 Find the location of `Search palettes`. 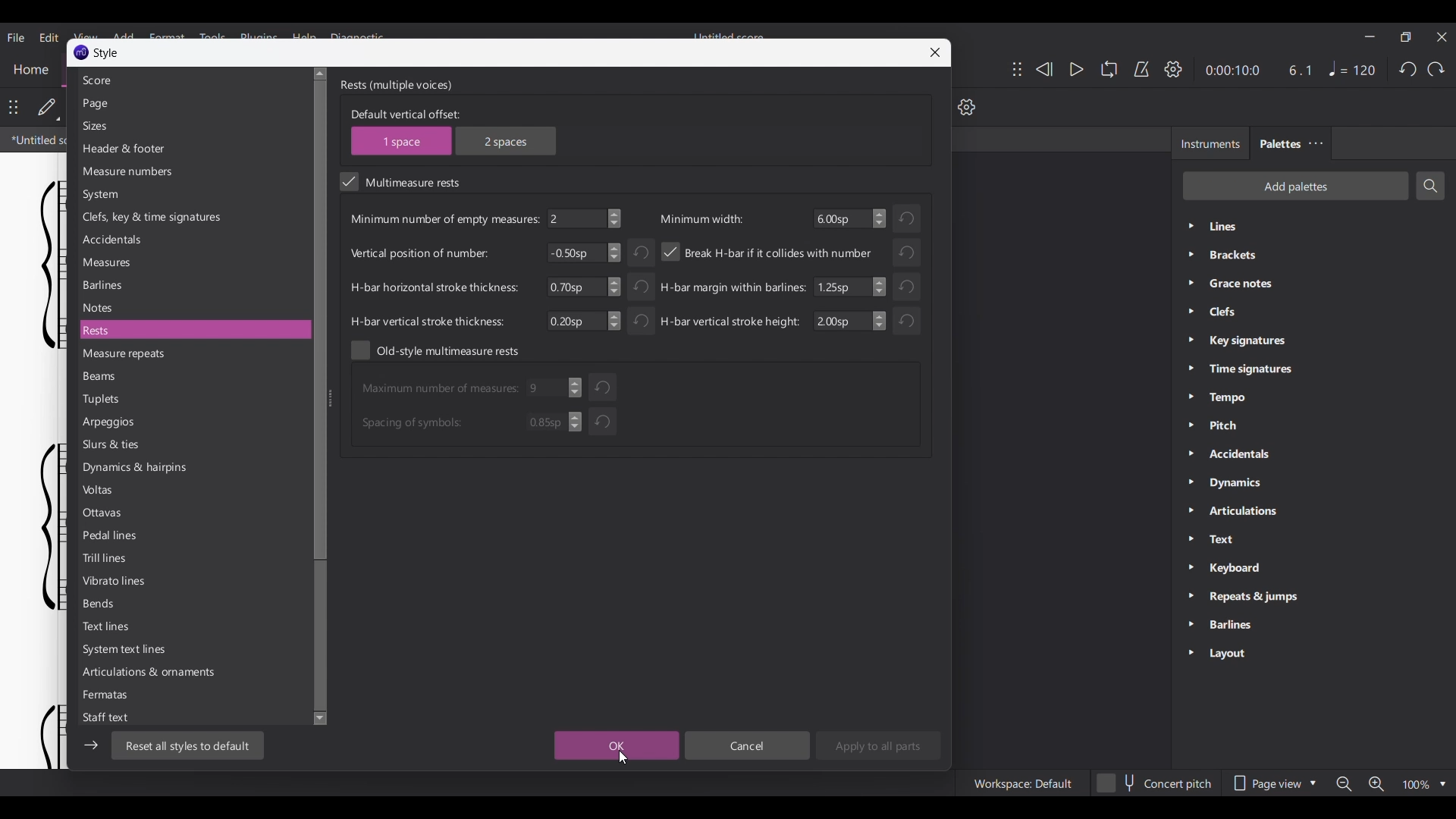

Search palettes is located at coordinates (1430, 186).